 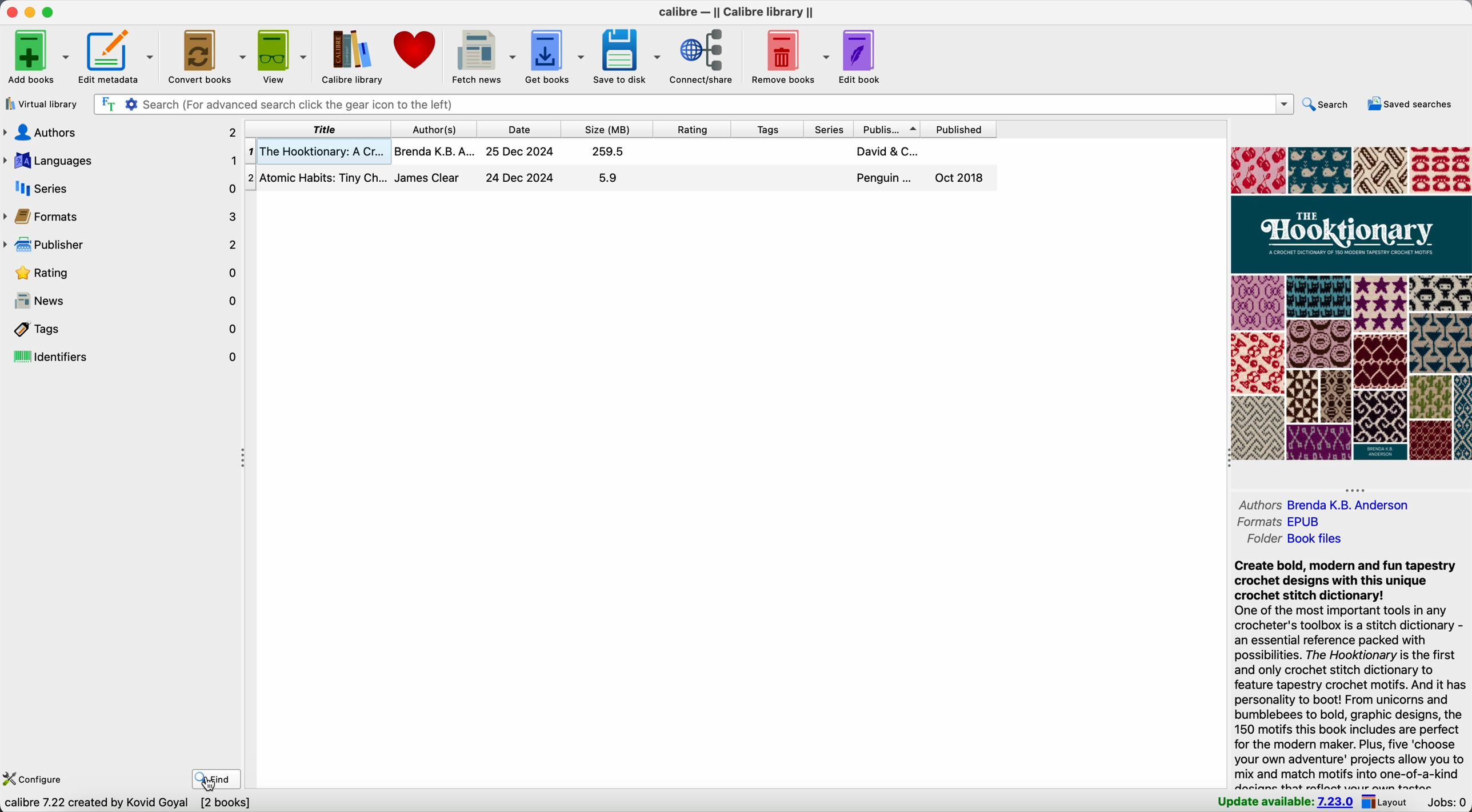 I want to click on second book, so click(x=621, y=181).